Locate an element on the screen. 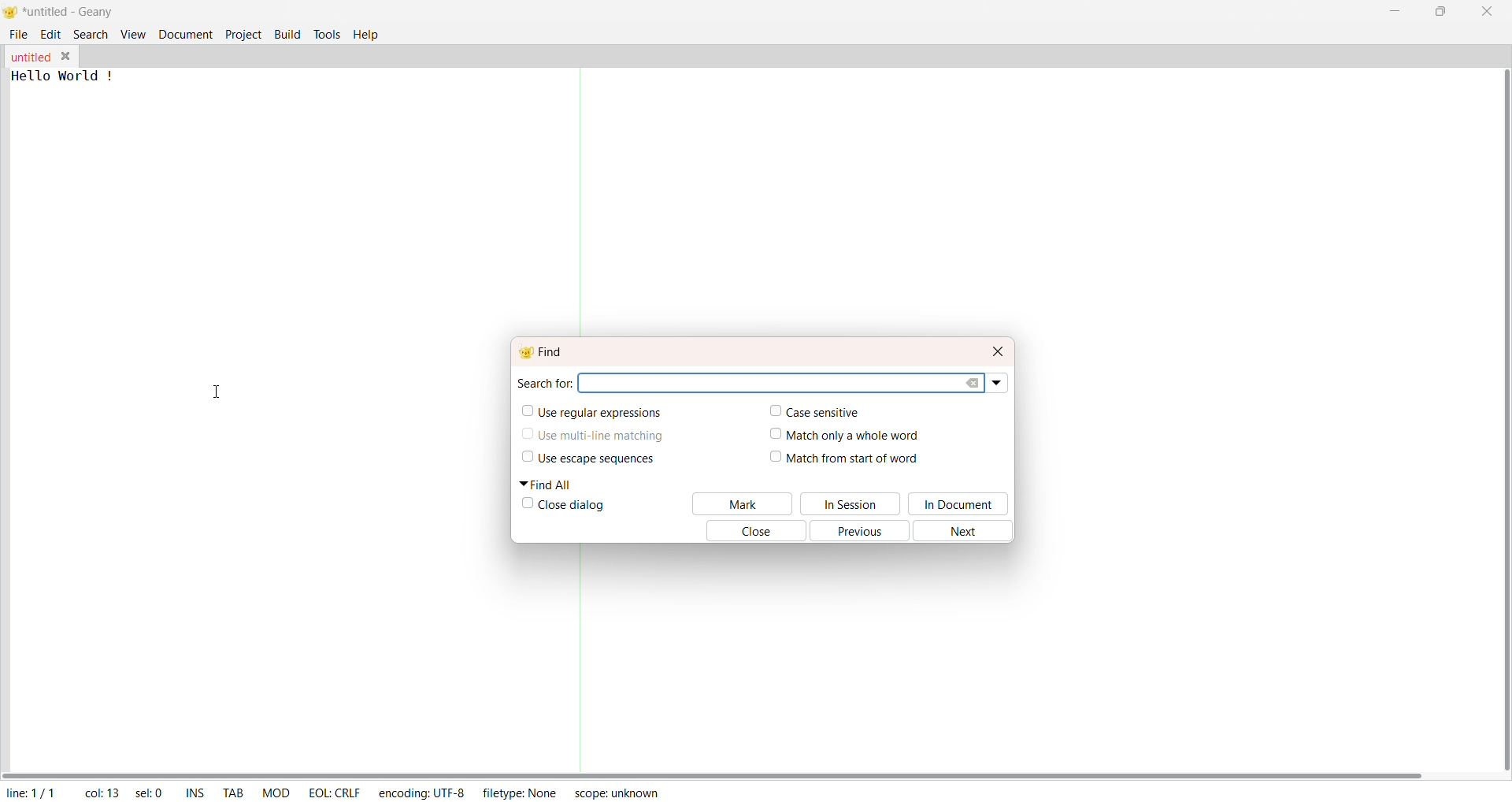 The image size is (1512, 802). Match from start of word is located at coordinates (858, 459).